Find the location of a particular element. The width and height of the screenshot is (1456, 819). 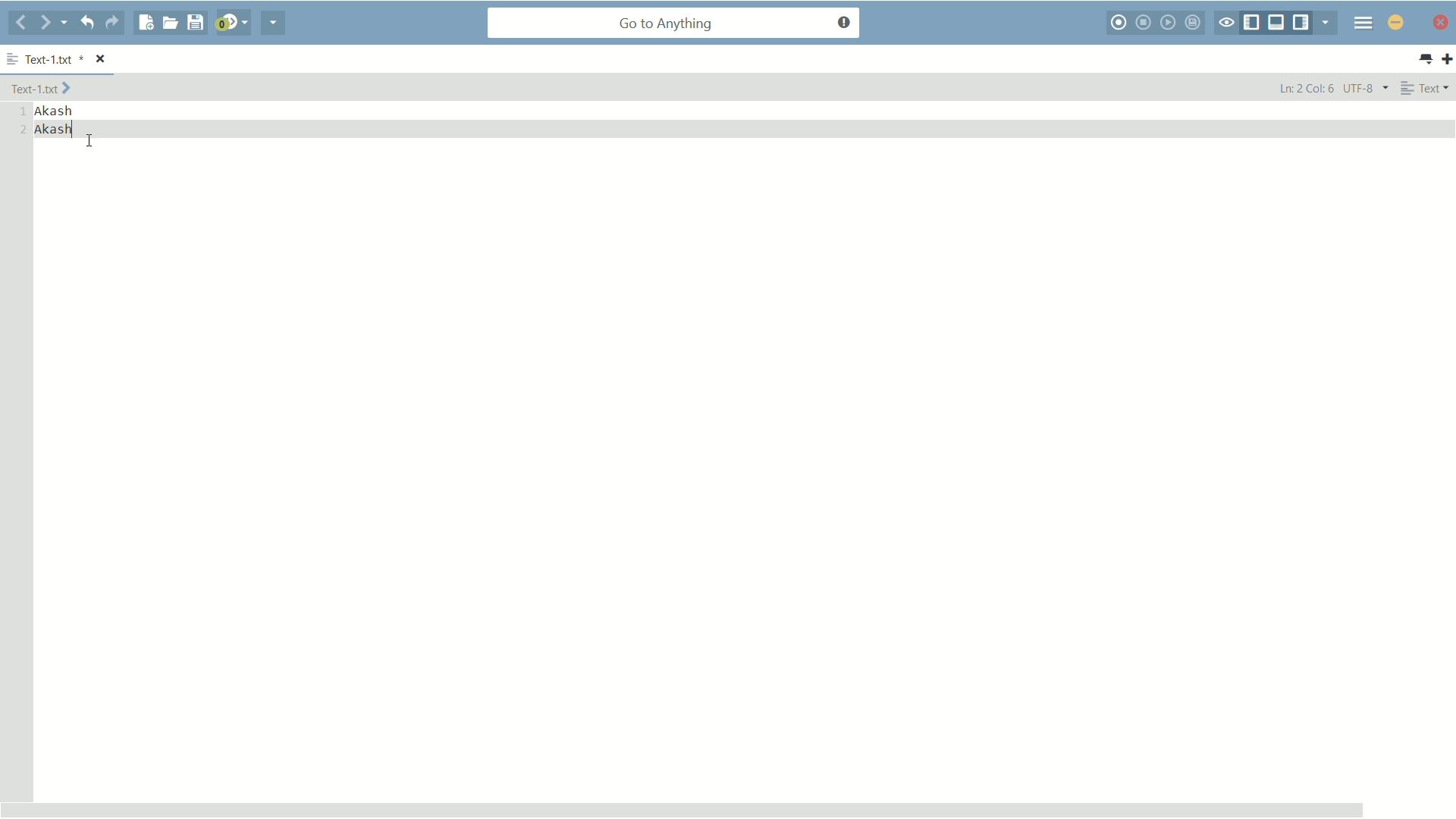

Text-1.txt is located at coordinates (55, 58).